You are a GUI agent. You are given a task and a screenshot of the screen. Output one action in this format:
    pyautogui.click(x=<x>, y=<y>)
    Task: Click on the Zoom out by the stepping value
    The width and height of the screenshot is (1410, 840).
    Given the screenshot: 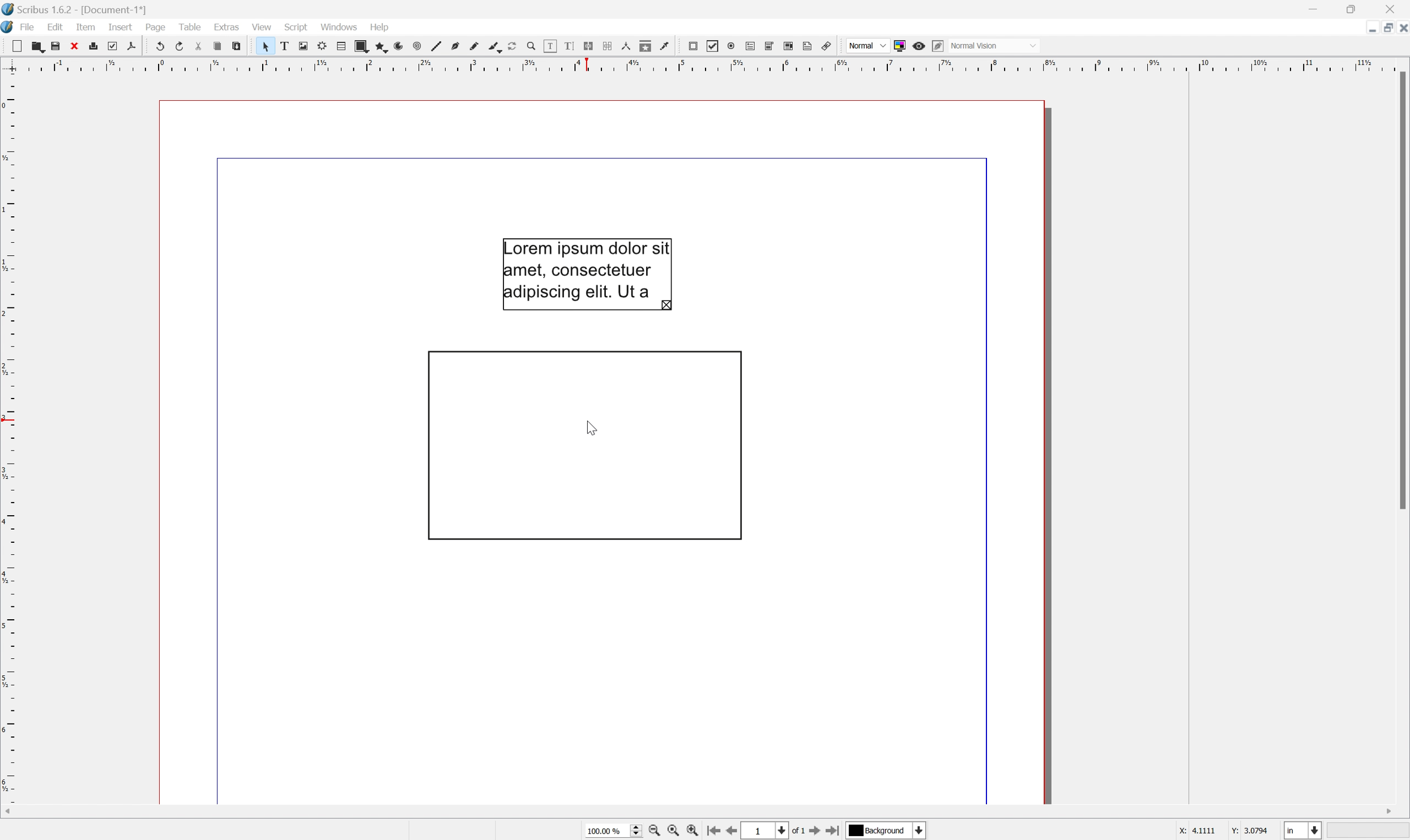 What is the action you would take?
    pyautogui.click(x=657, y=832)
    